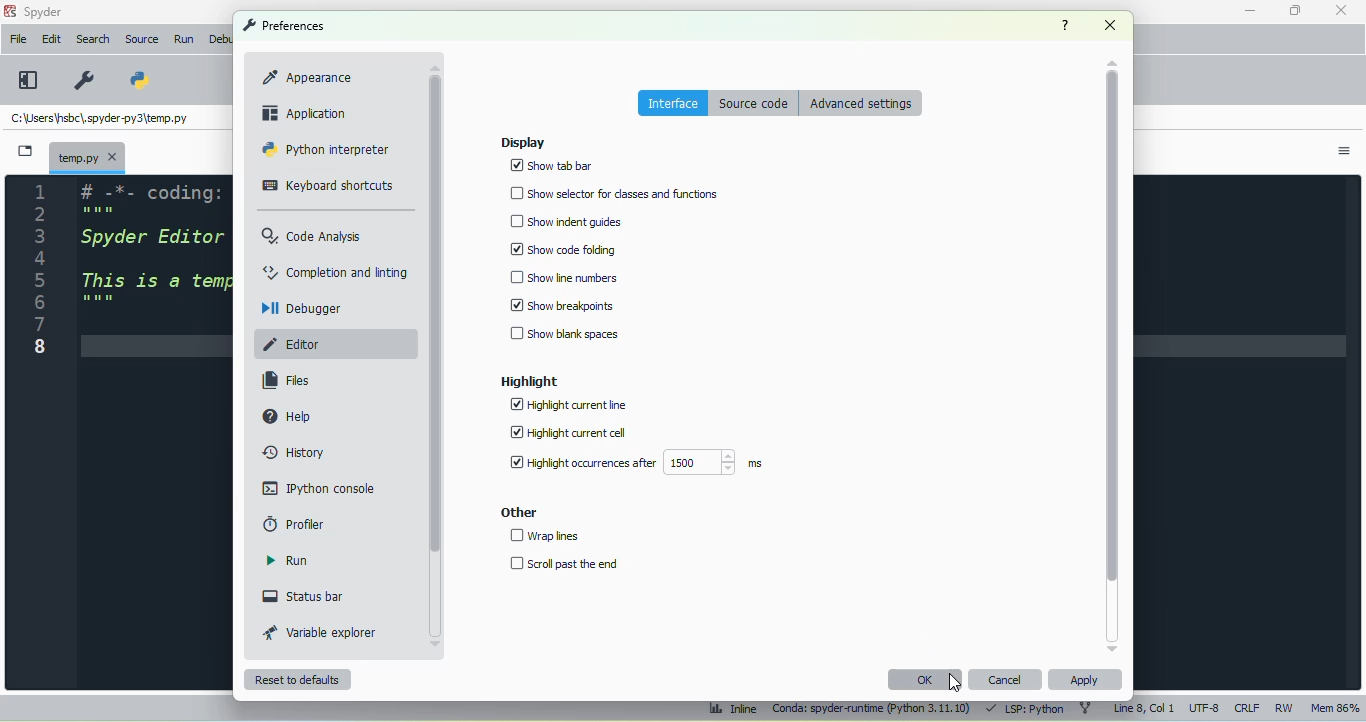 This screenshot has height=722, width=1366. Describe the element at coordinates (673, 102) in the screenshot. I see `interface` at that location.